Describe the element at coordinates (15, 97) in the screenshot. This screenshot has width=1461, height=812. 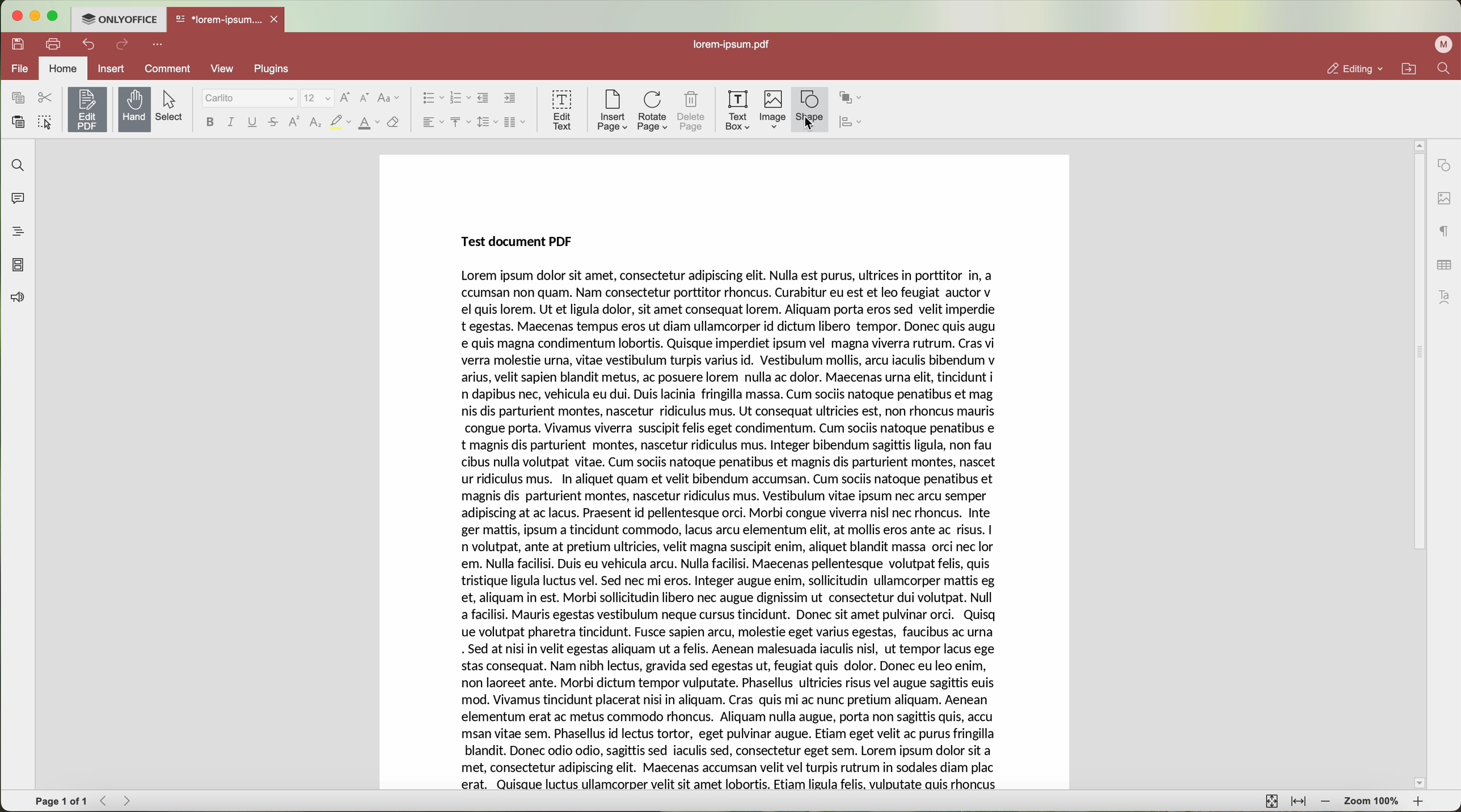
I see `copy` at that location.